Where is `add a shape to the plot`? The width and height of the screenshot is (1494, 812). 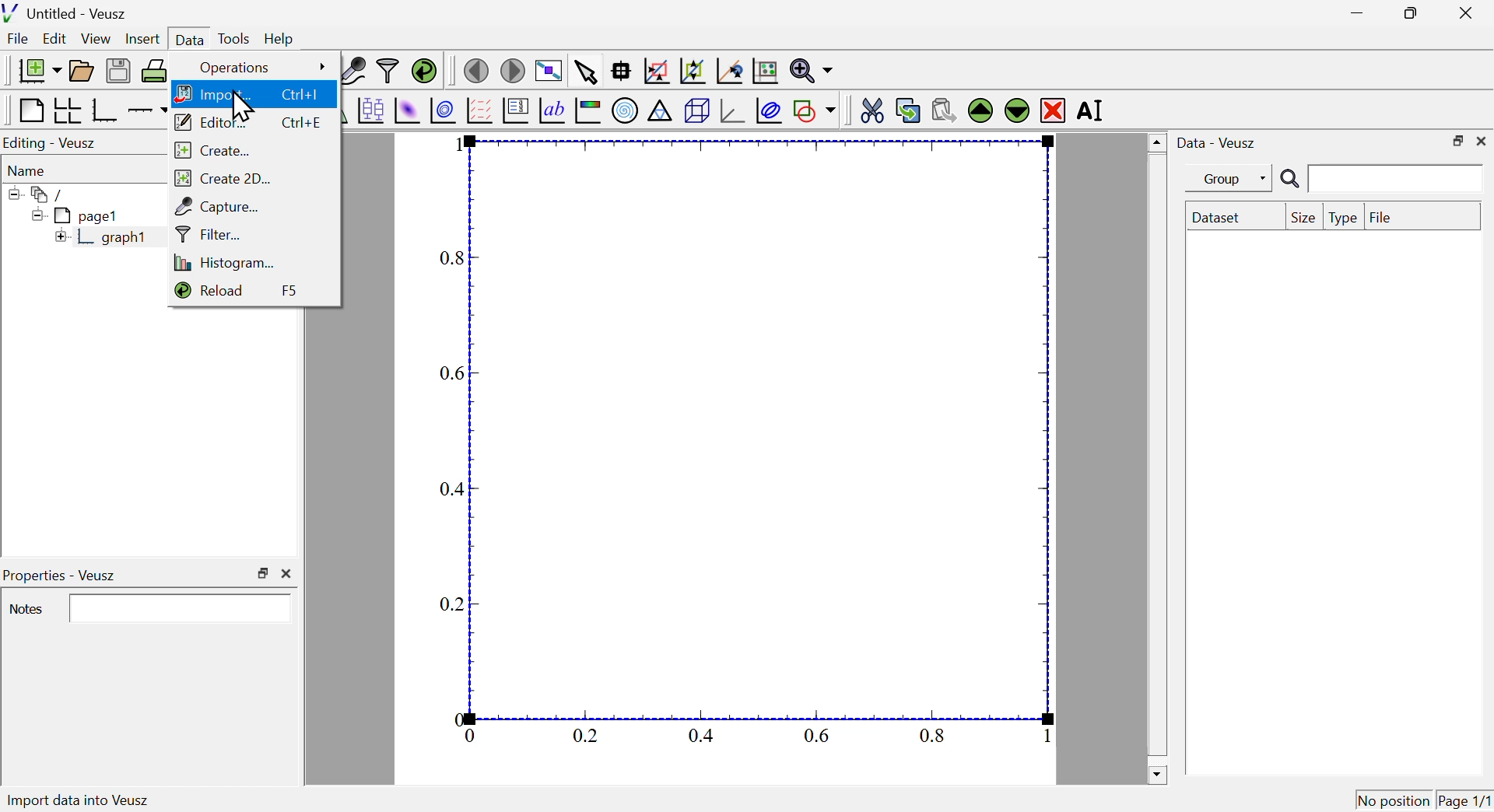
add a shape to the plot is located at coordinates (815, 110).